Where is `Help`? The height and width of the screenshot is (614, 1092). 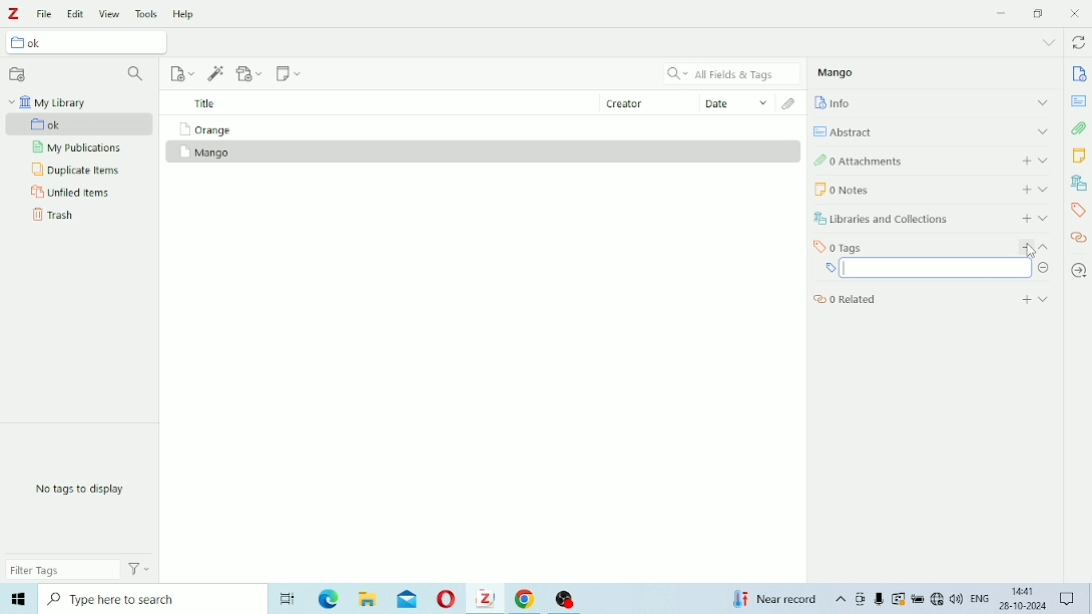 Help is located at coordinates (184, 14).